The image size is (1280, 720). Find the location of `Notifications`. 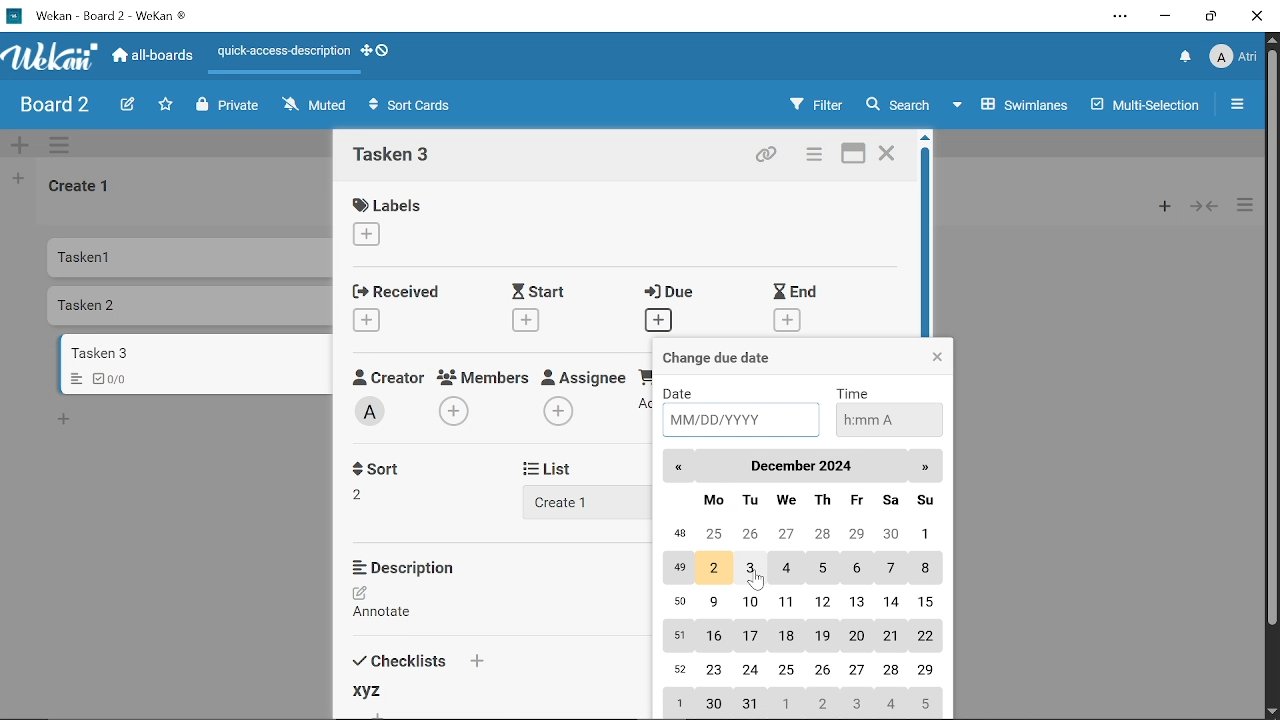

Notifications is located at coordinates (1186, 57).